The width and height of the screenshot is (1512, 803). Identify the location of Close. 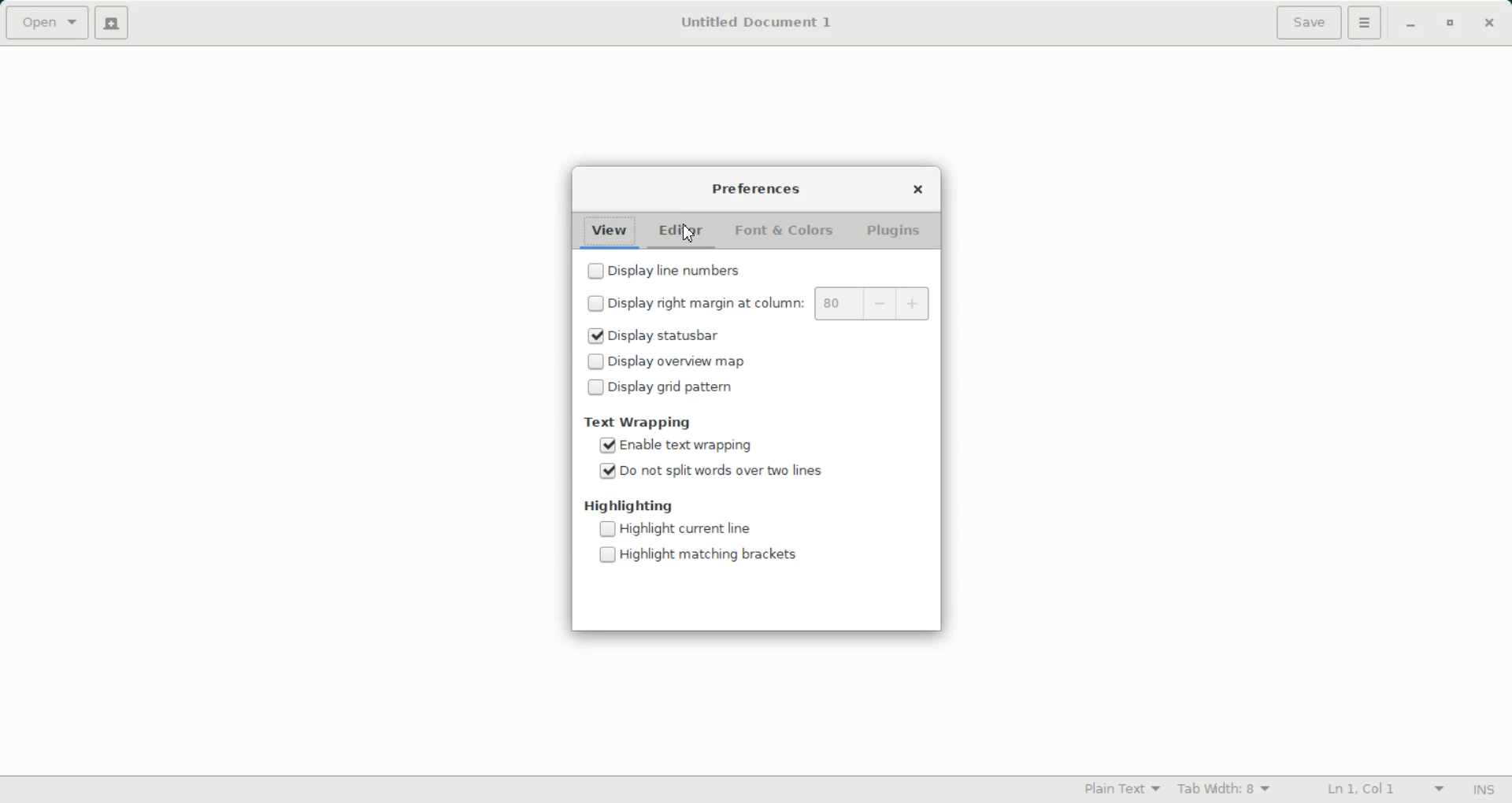
(1488, 23).